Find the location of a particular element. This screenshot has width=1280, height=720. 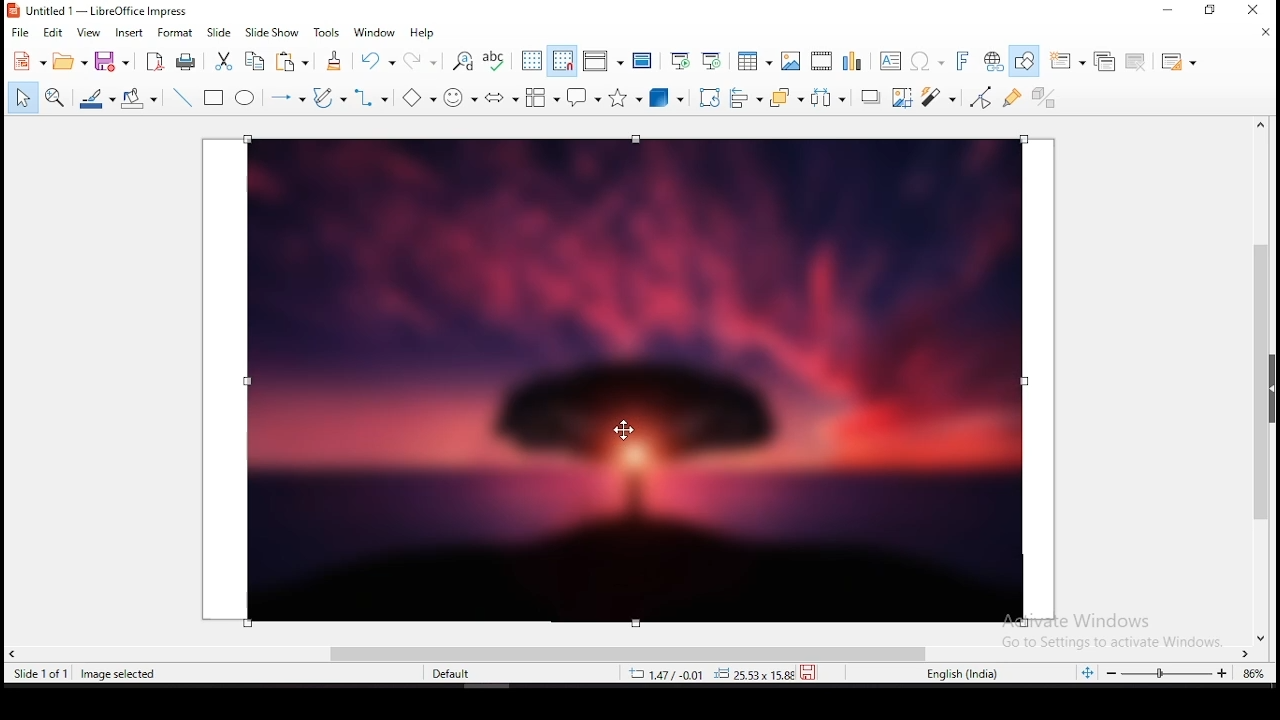

new tool is located at coordinates (28, 64).